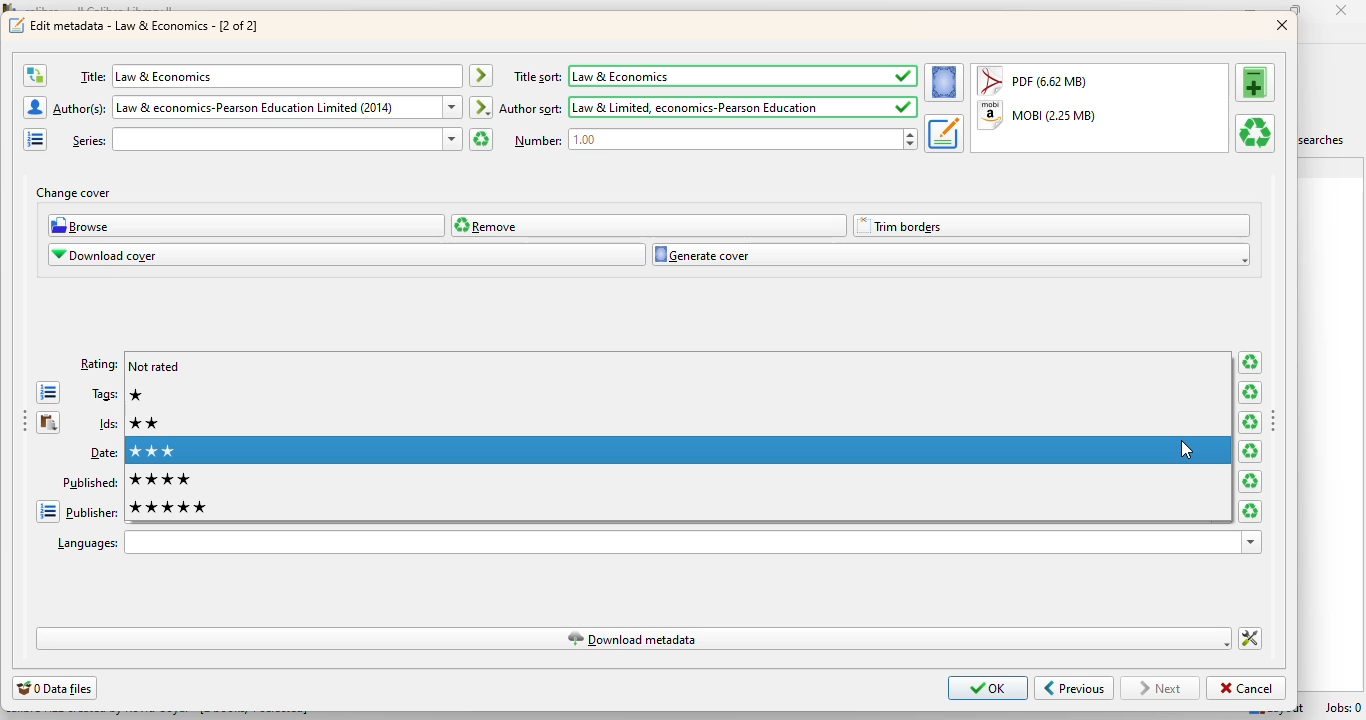  Describe the element at coordinates (989, 688) in the screenshot. I see `OK` at that location.